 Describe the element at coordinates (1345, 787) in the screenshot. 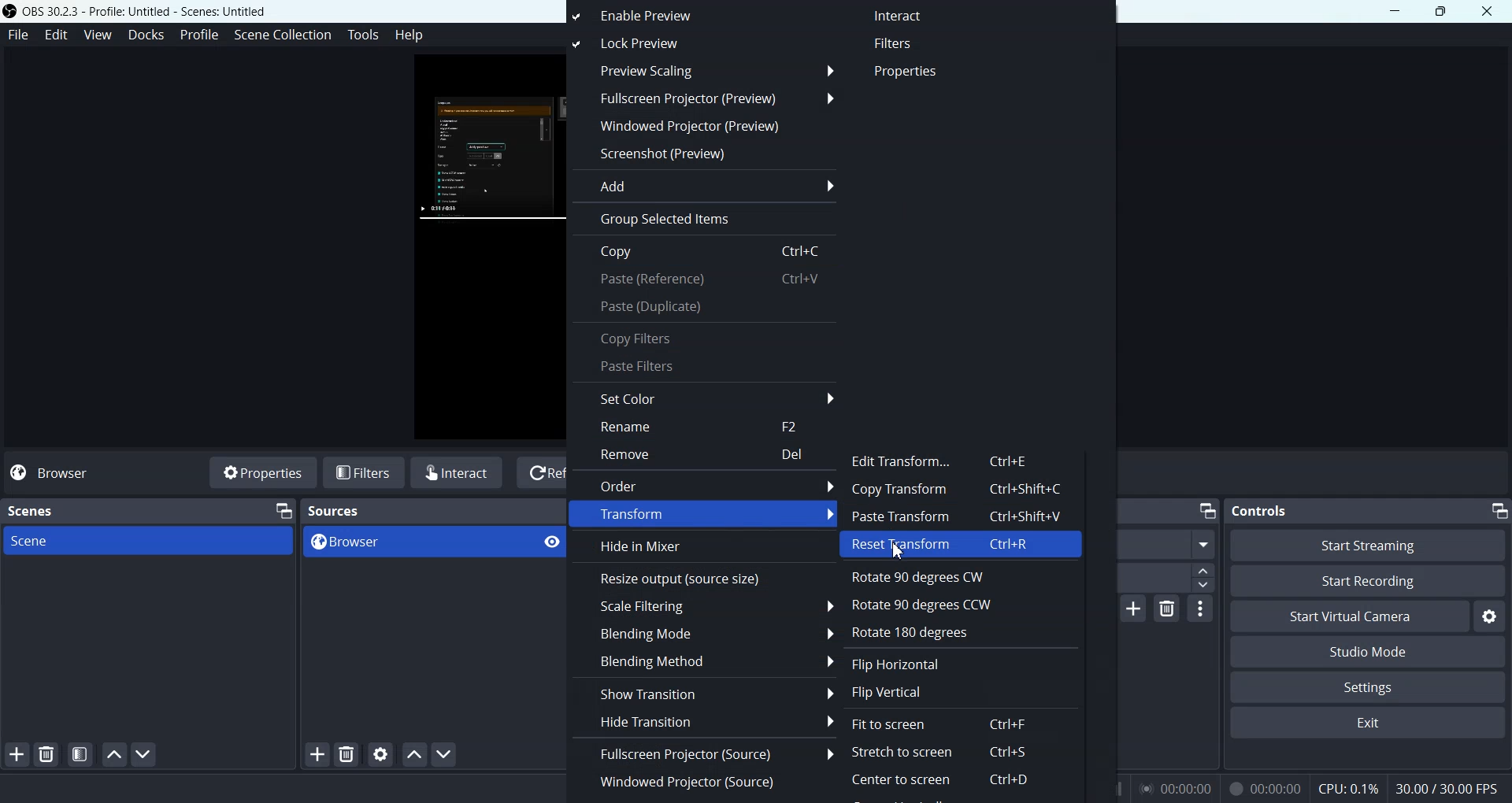

I see `CPU: 0.1%` at that location.